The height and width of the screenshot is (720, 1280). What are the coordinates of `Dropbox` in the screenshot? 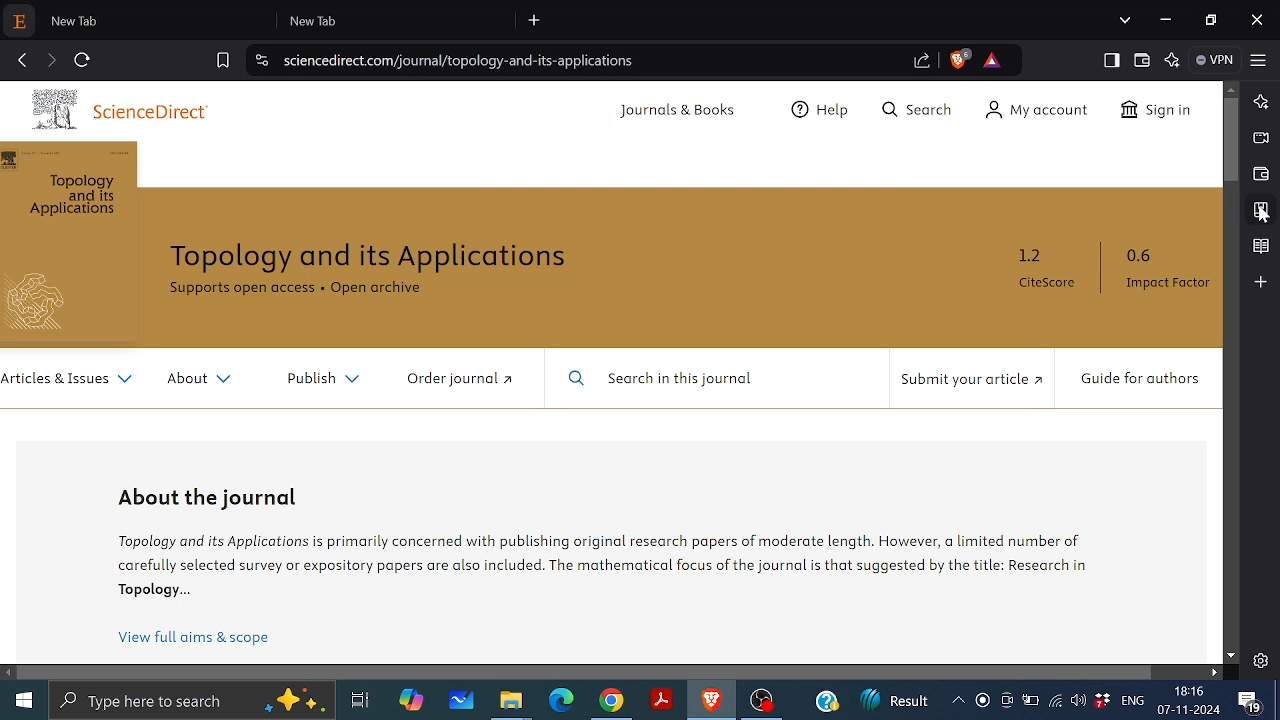 It's located at (1101, 702).